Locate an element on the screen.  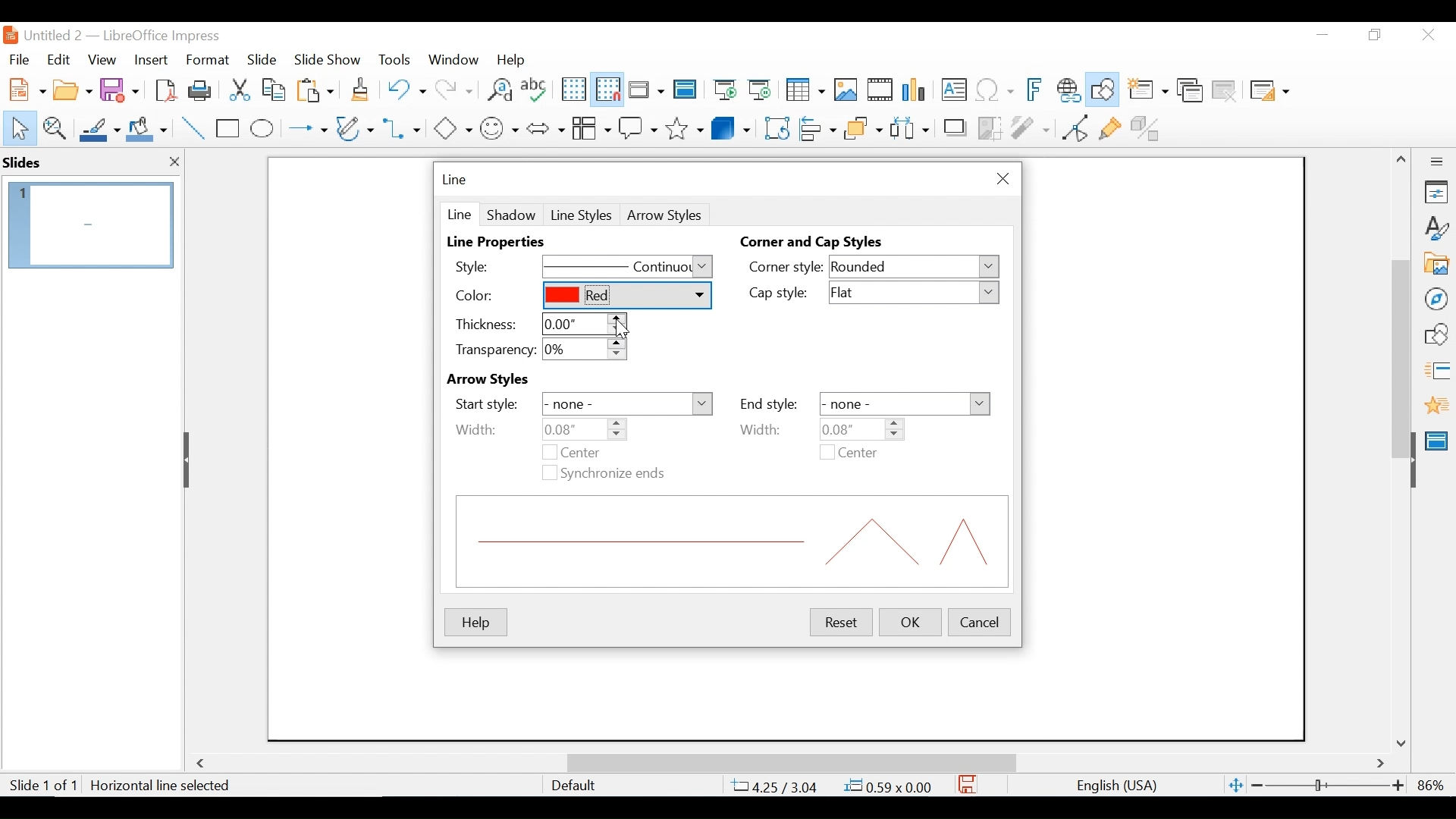
Default is located at coordinates (573, 786).